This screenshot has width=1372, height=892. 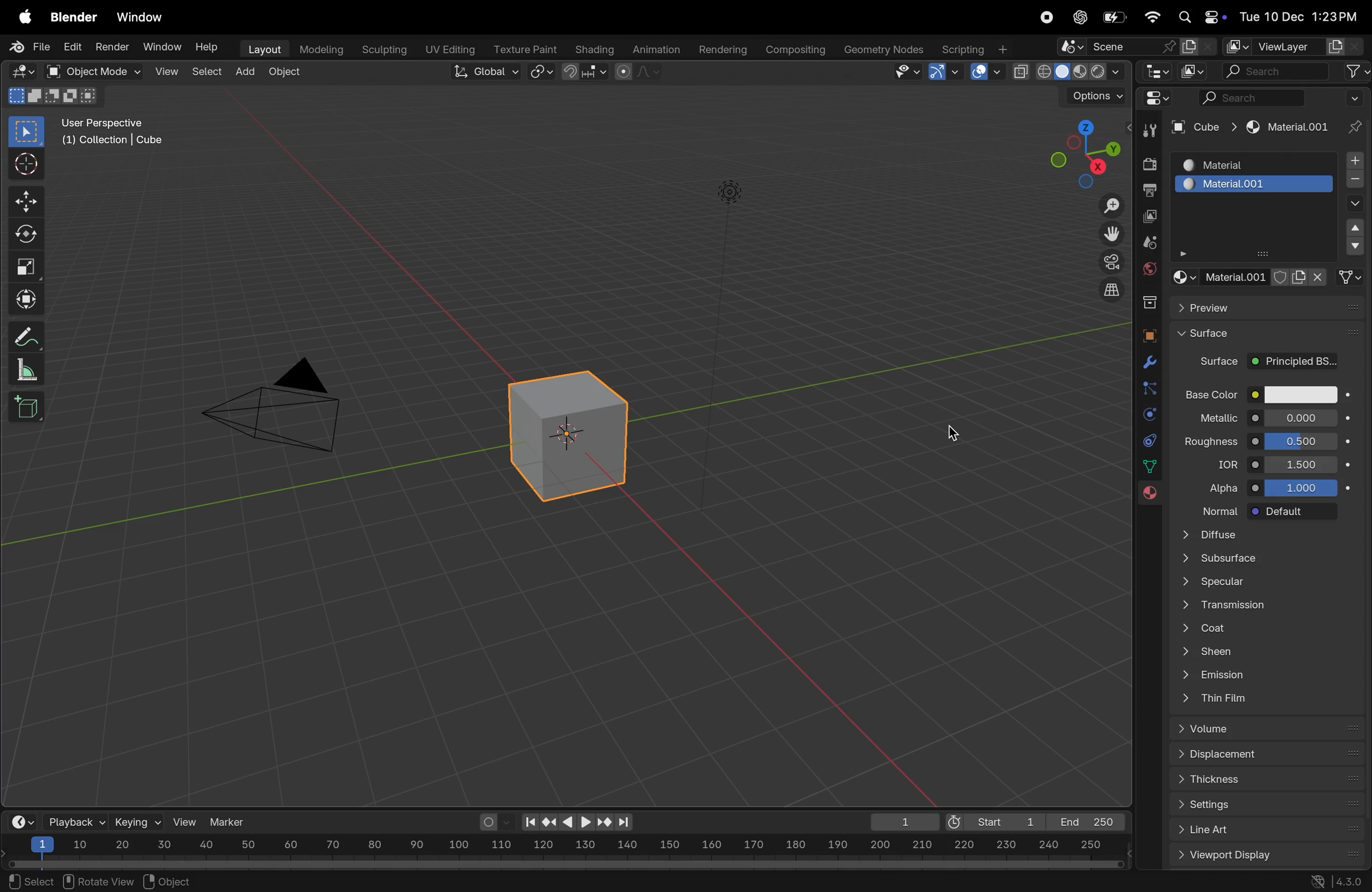 I want to click on Animation, so click(x=658, y=48).